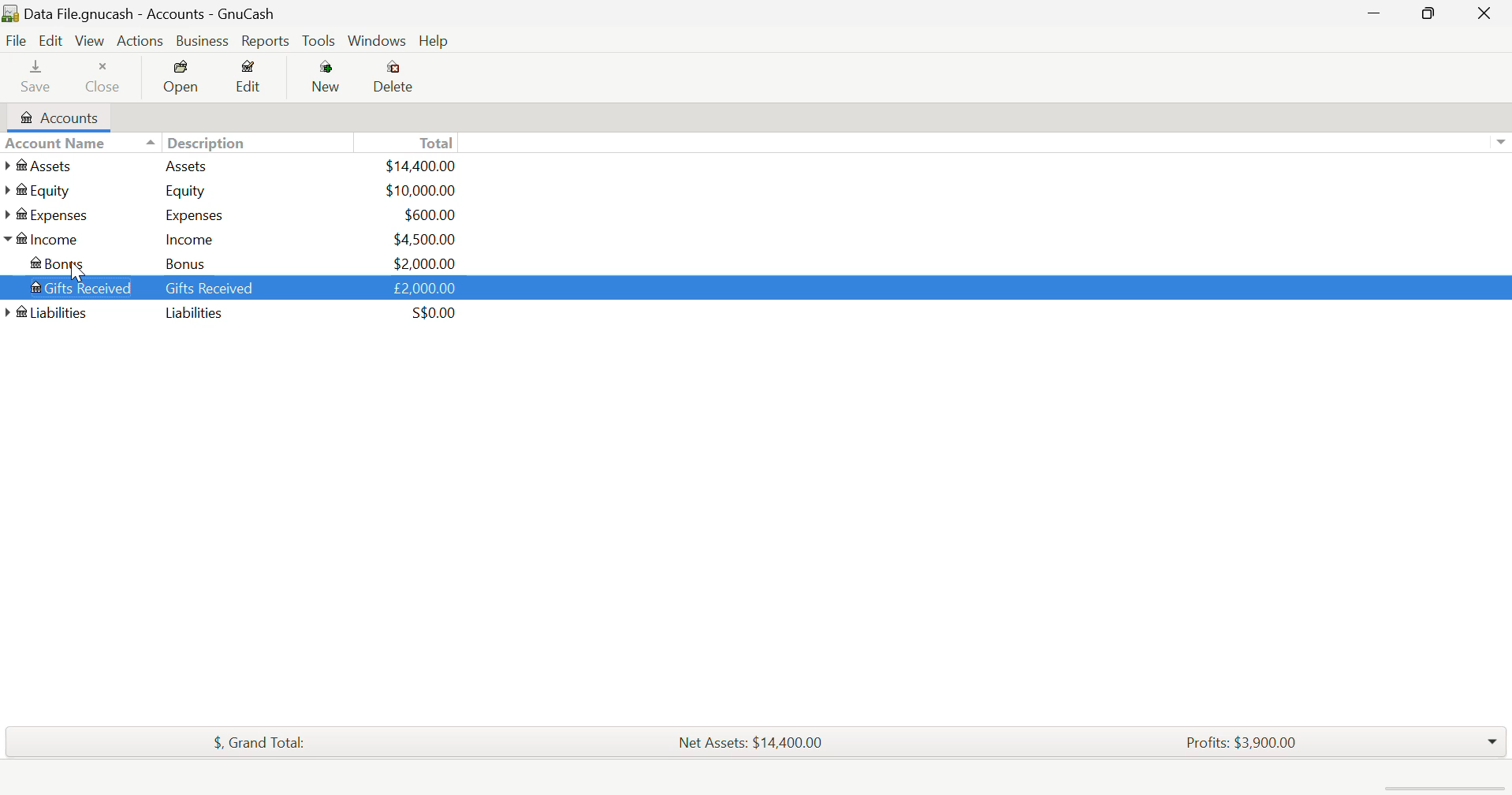 This screenshot has height=795, width=1512. I want to click on Income, so click(191, 239).